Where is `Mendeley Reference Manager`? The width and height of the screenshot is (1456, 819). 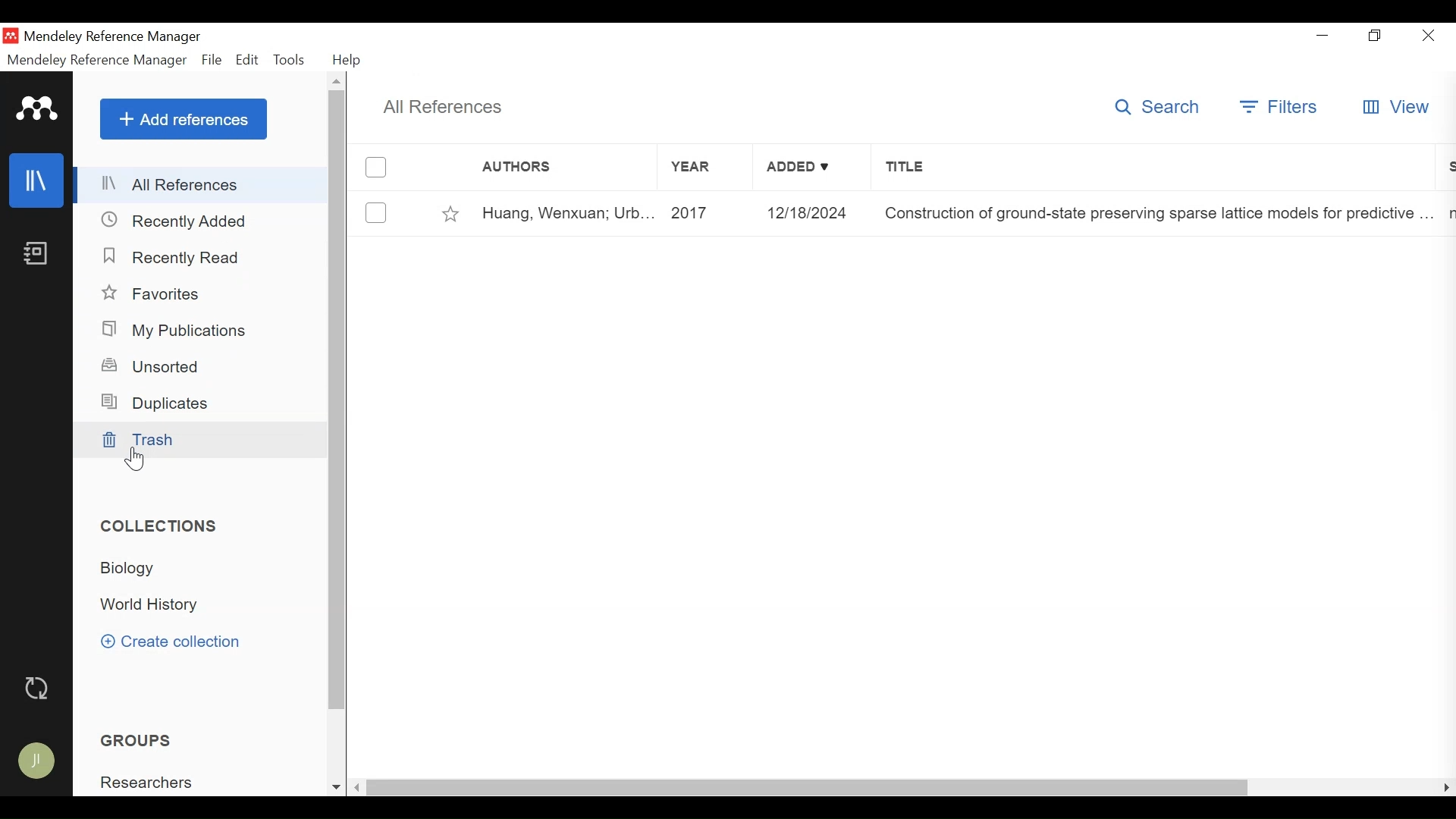 Mendeley Reference Manager is located at coordinates (113, 37).